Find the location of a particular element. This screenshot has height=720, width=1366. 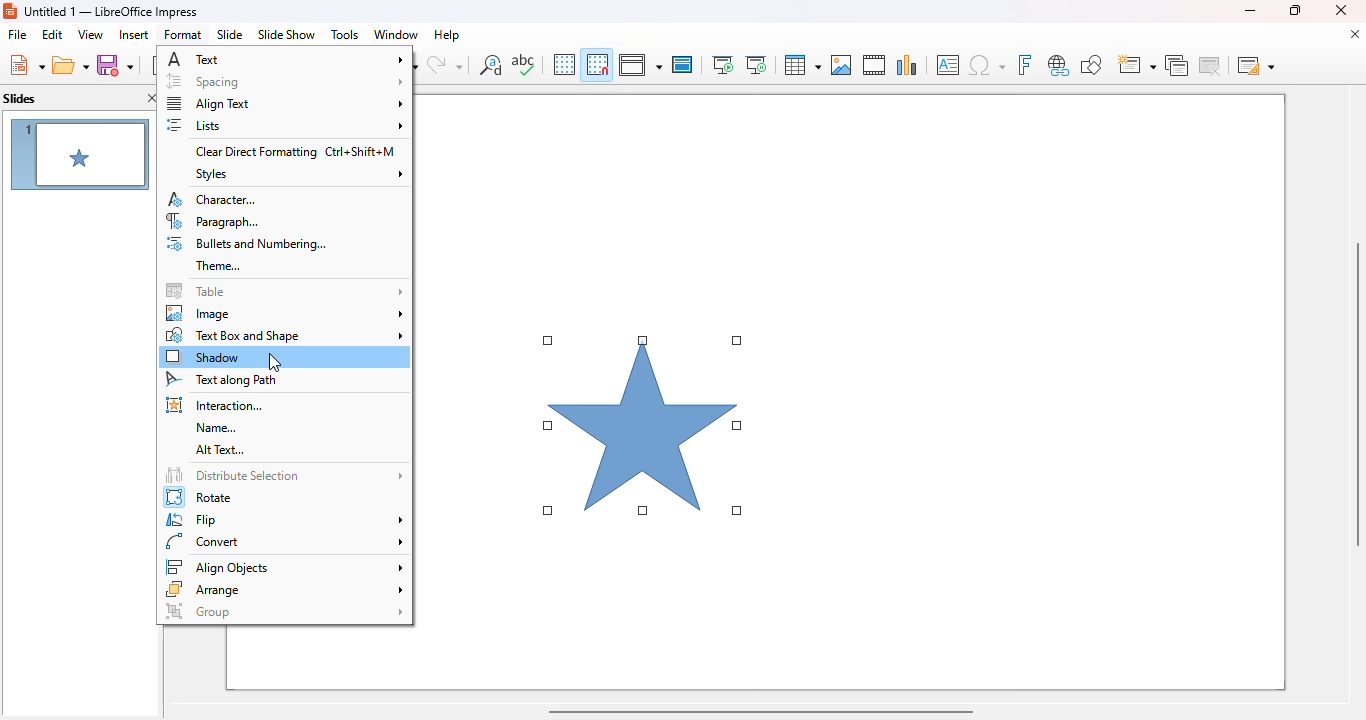

maximize is located at coordinates (1293, 10).